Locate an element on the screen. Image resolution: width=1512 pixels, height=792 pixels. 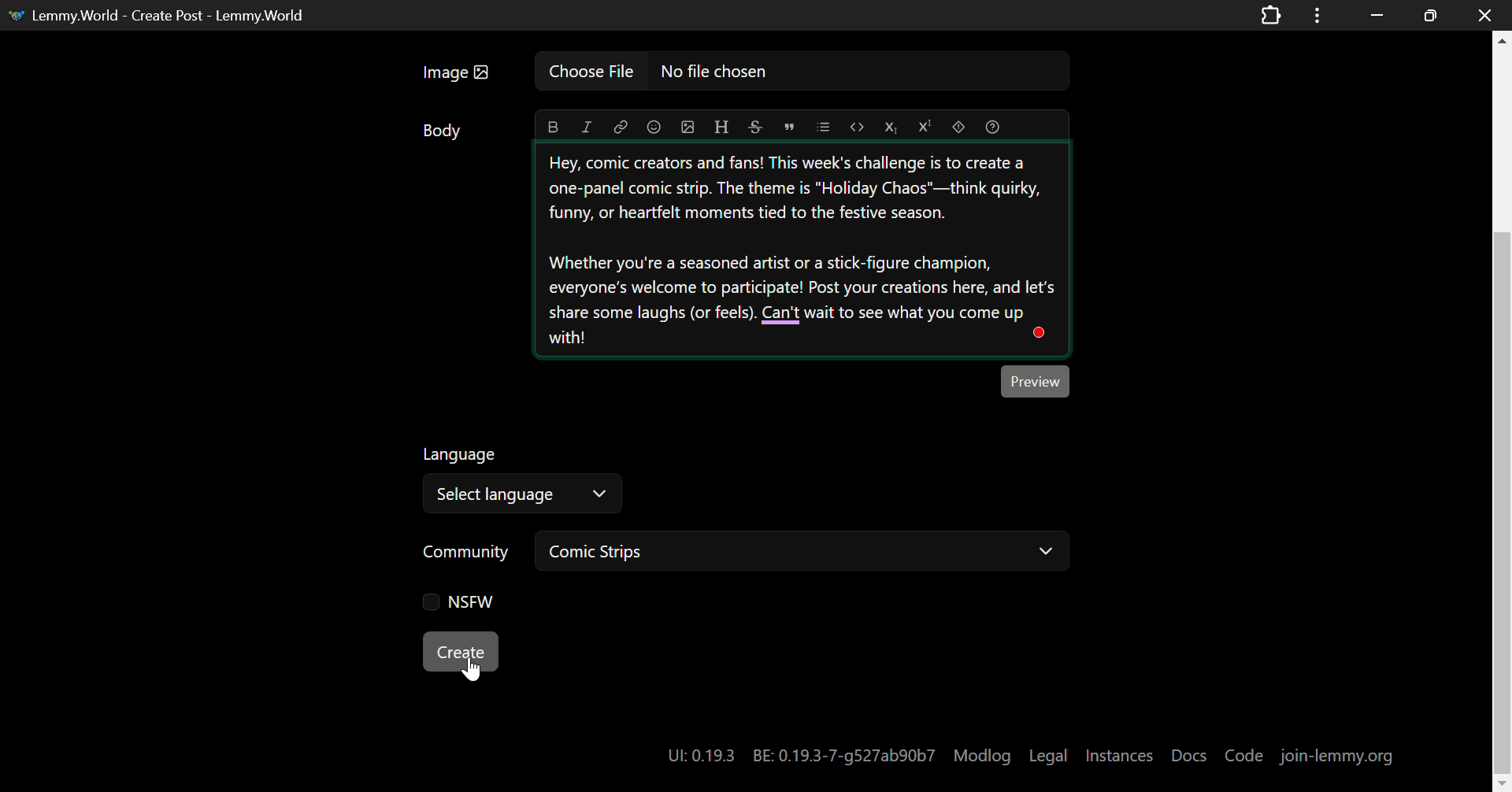
spoiler is located at coordinates (962, 127).